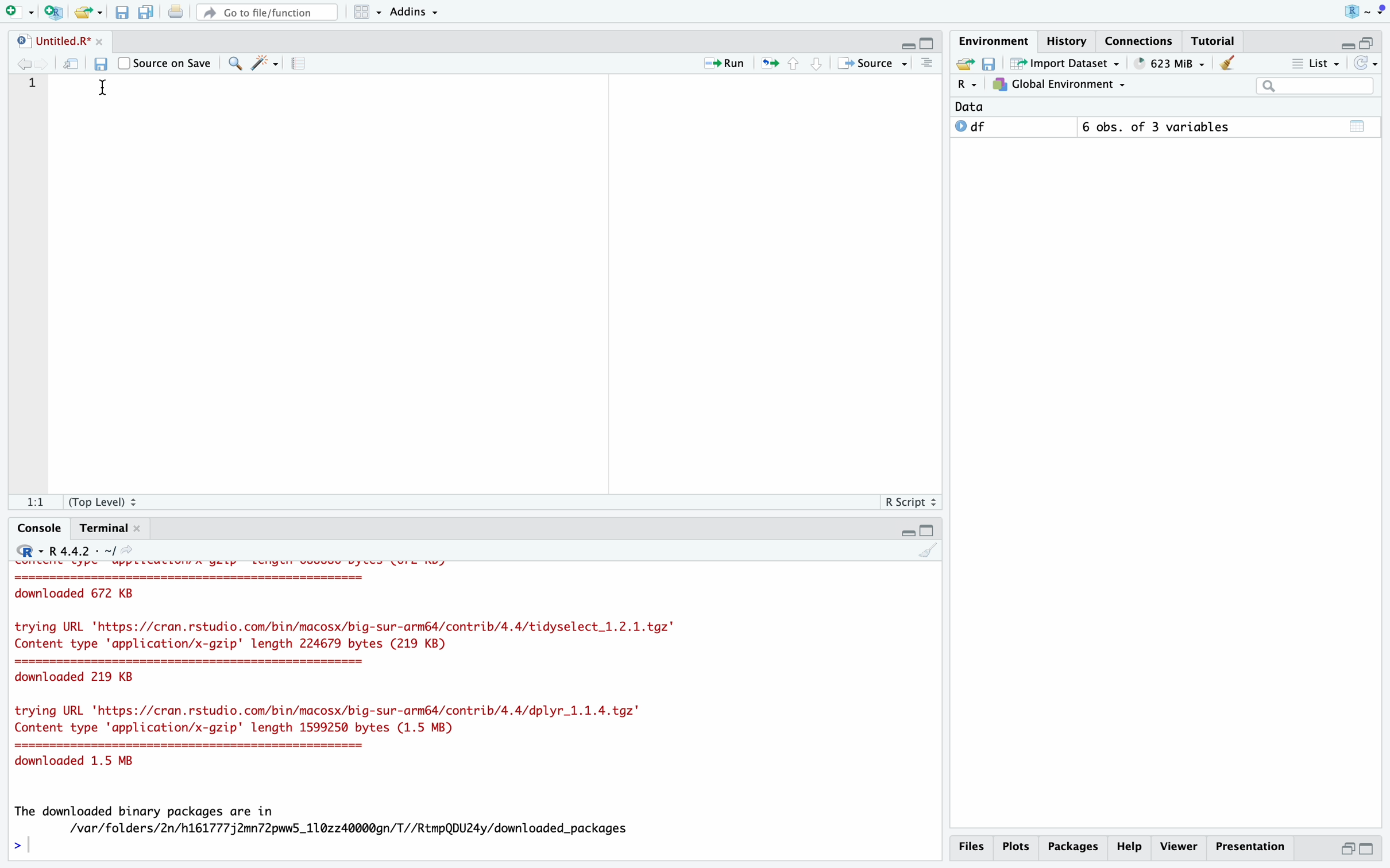 This screenshot has height=868, width=1390. What do you see at coordinates (123, 13) in the screenshot?
I see `Save current file` at bounding box center [123, 13].